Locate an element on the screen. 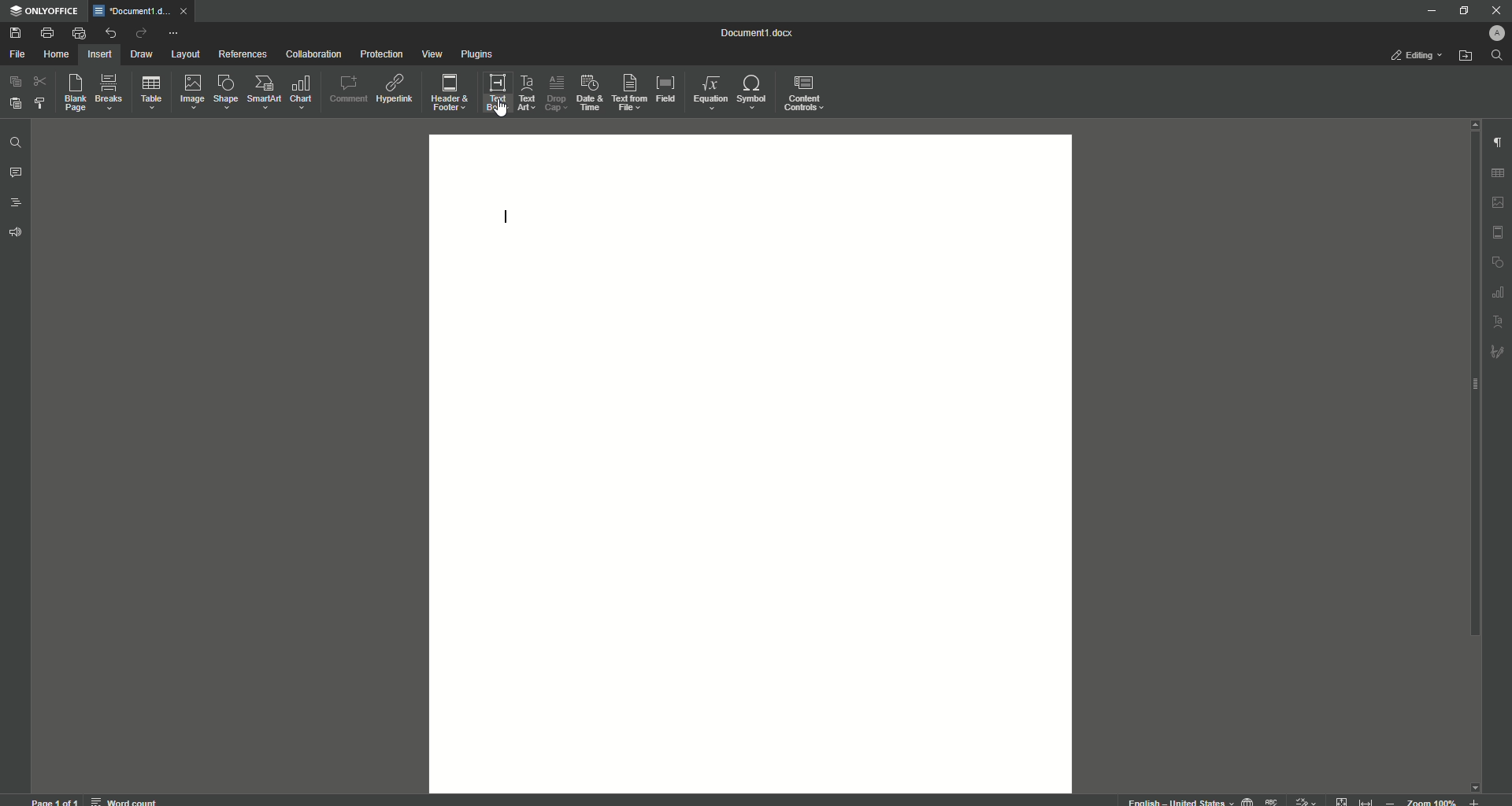 The image size is (1512, 806). More Actions is located at coordinates (172, 35).